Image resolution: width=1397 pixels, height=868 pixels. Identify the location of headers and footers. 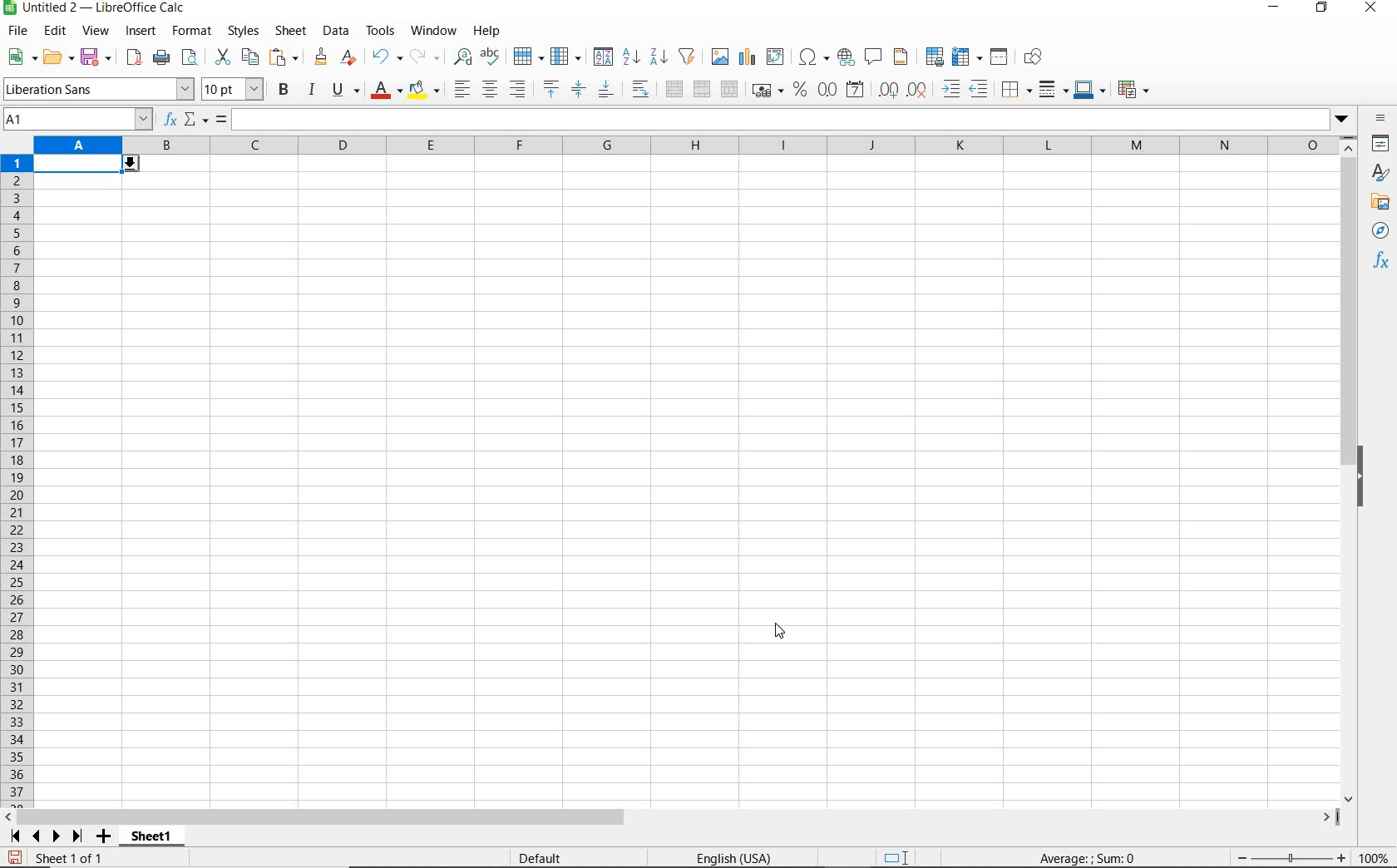
(904, 57).